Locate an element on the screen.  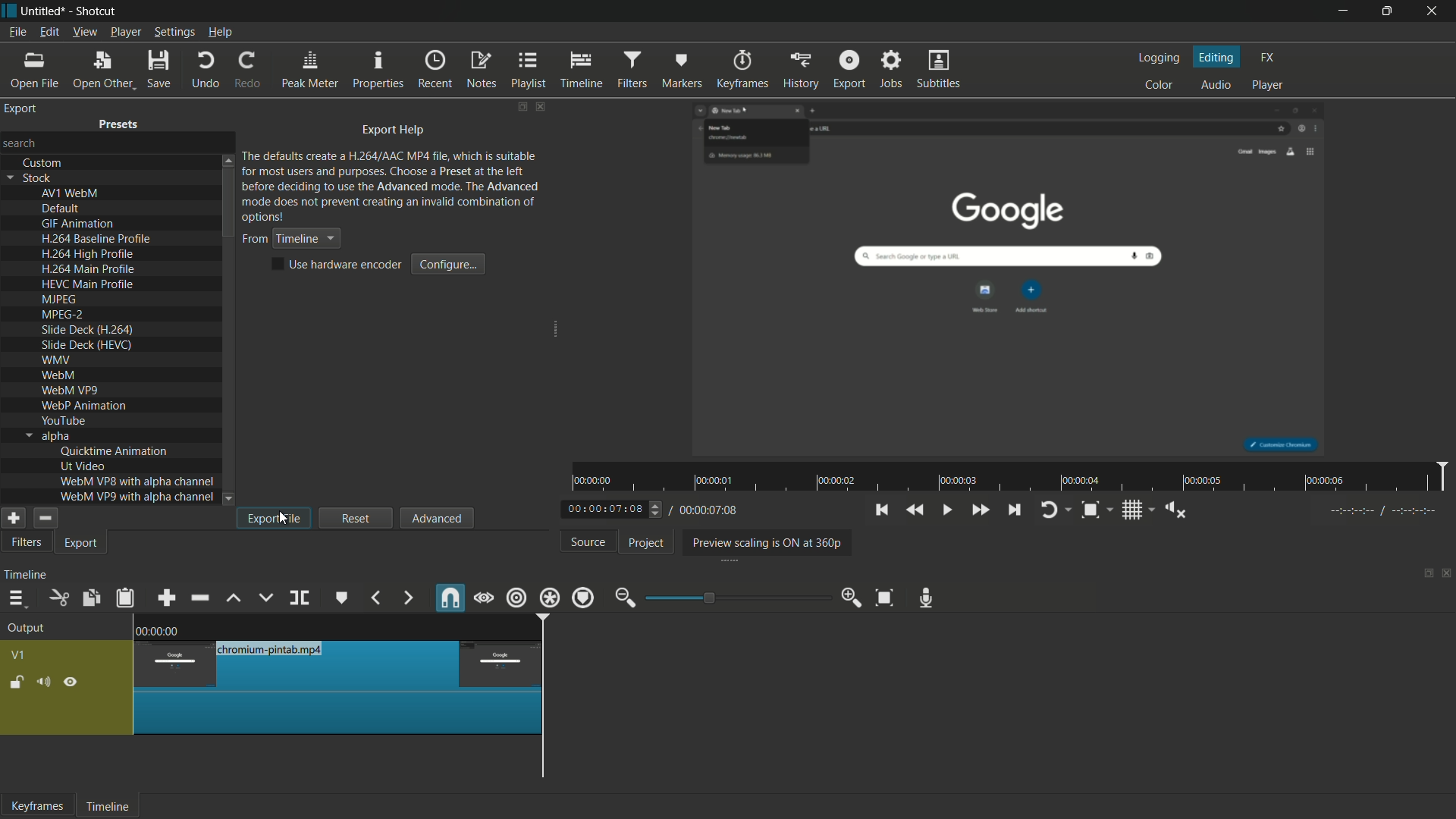
advanced is located at coordinates (436, 517).